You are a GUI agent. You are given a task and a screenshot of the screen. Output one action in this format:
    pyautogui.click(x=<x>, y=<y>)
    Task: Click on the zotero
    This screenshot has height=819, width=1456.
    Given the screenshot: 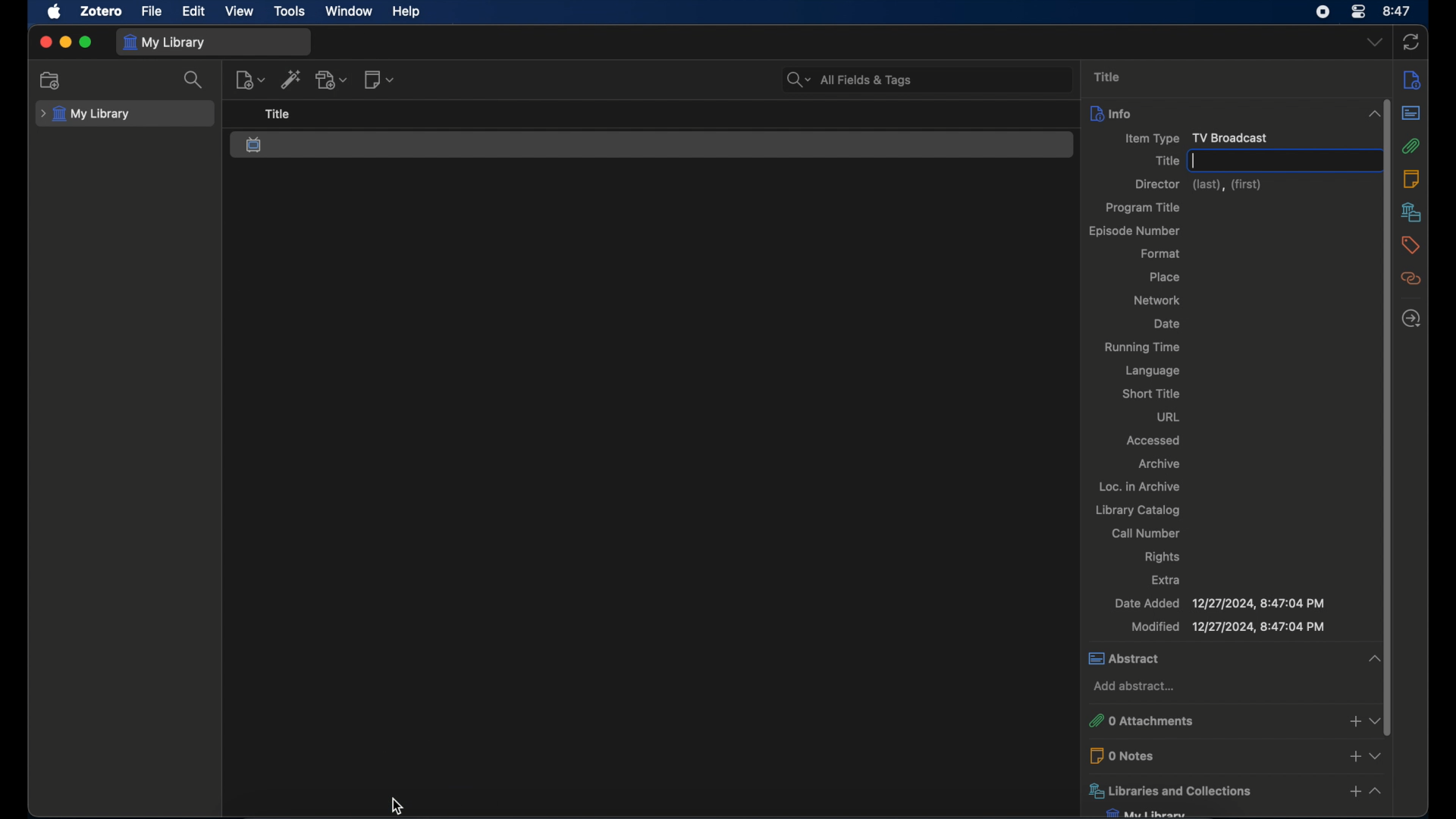 What is the action you would take?
    pyautogui.click(x=102, y=11)
    